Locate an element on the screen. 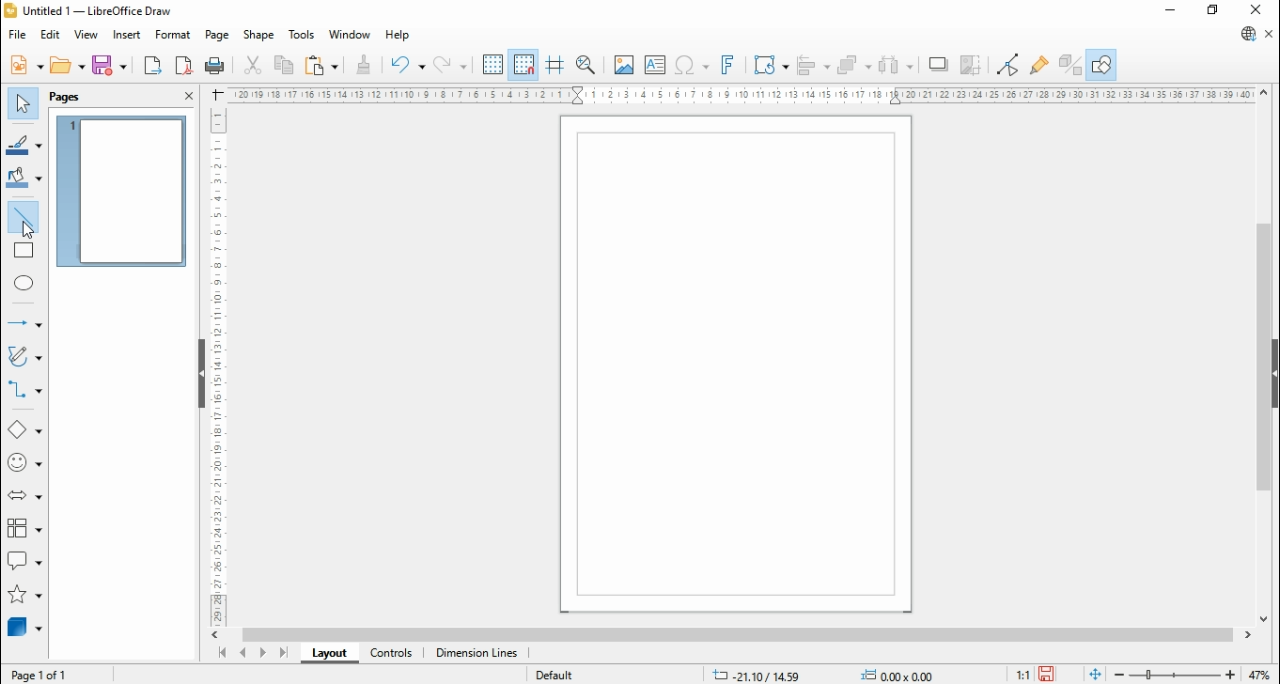 The width and height of the screenshot is (1280, 684). Scale is located at coordinates (218, 366).